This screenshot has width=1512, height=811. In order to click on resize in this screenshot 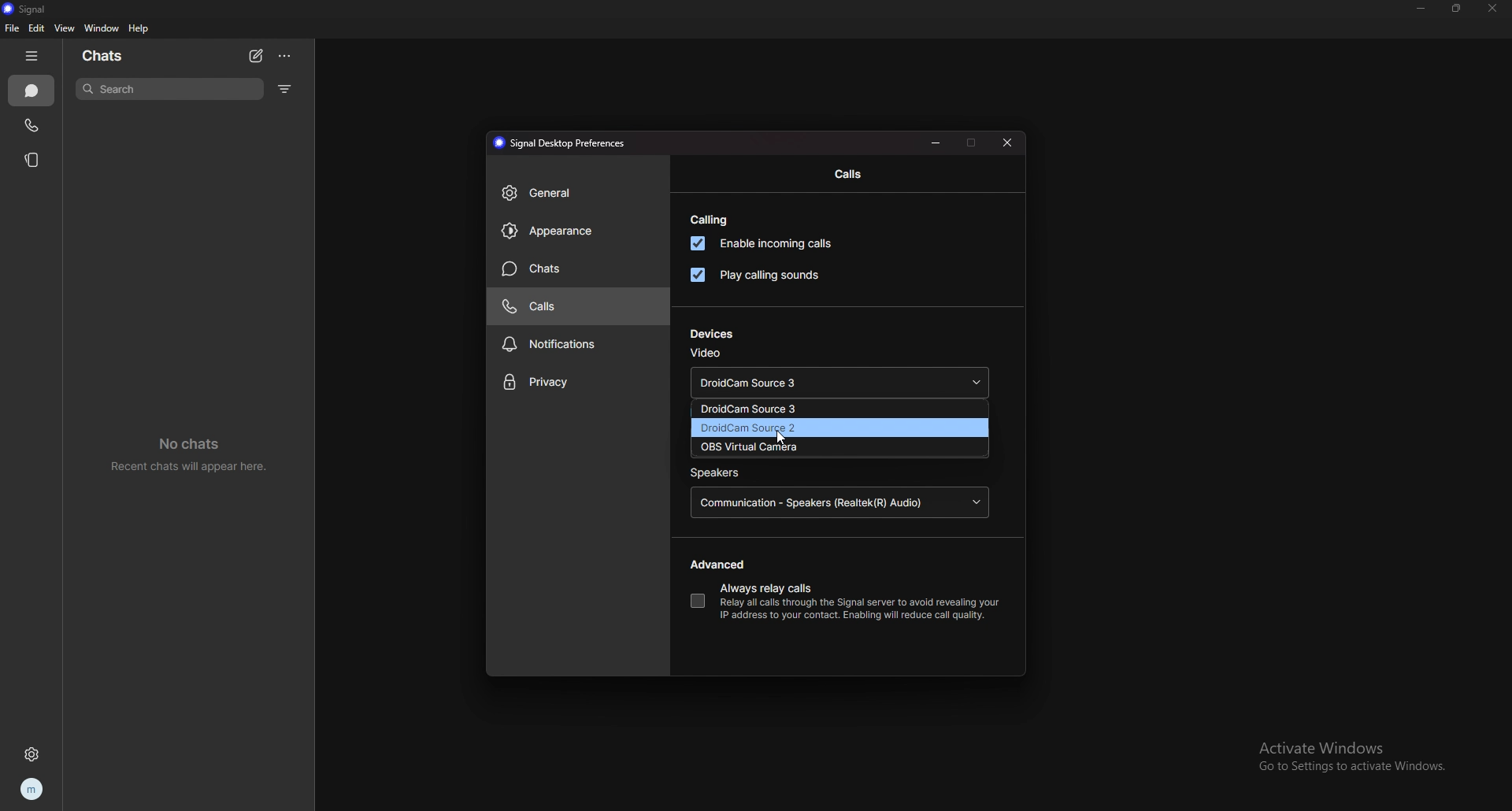, I will do `click(1457, 8)`.